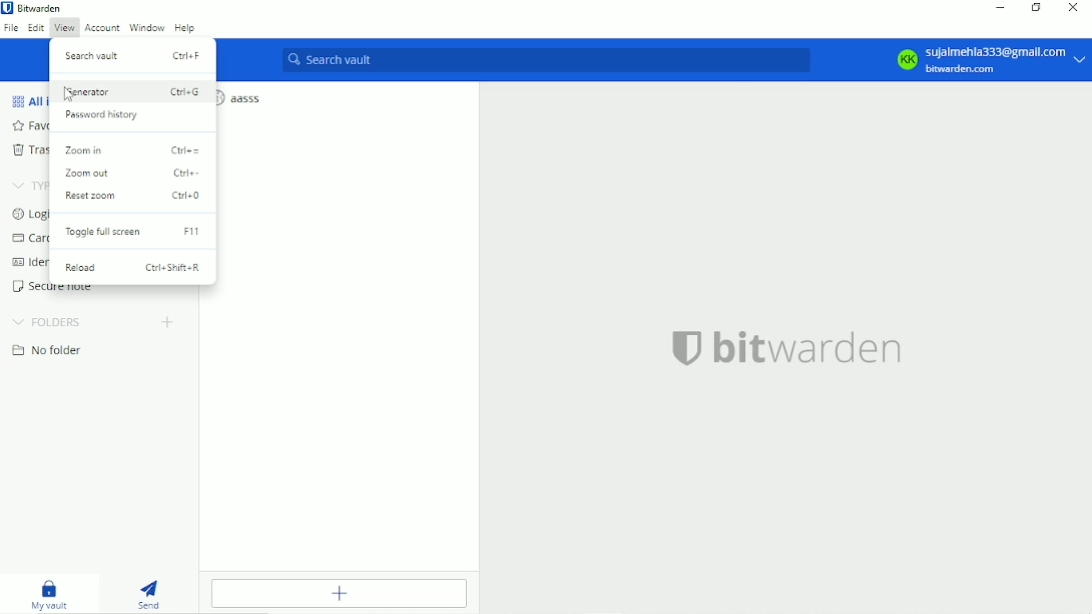 The width and height of the screenshot is (1092, 614). Describe the element at coordinates (132, 268) in the screenshot. I see `Reload` at that location.